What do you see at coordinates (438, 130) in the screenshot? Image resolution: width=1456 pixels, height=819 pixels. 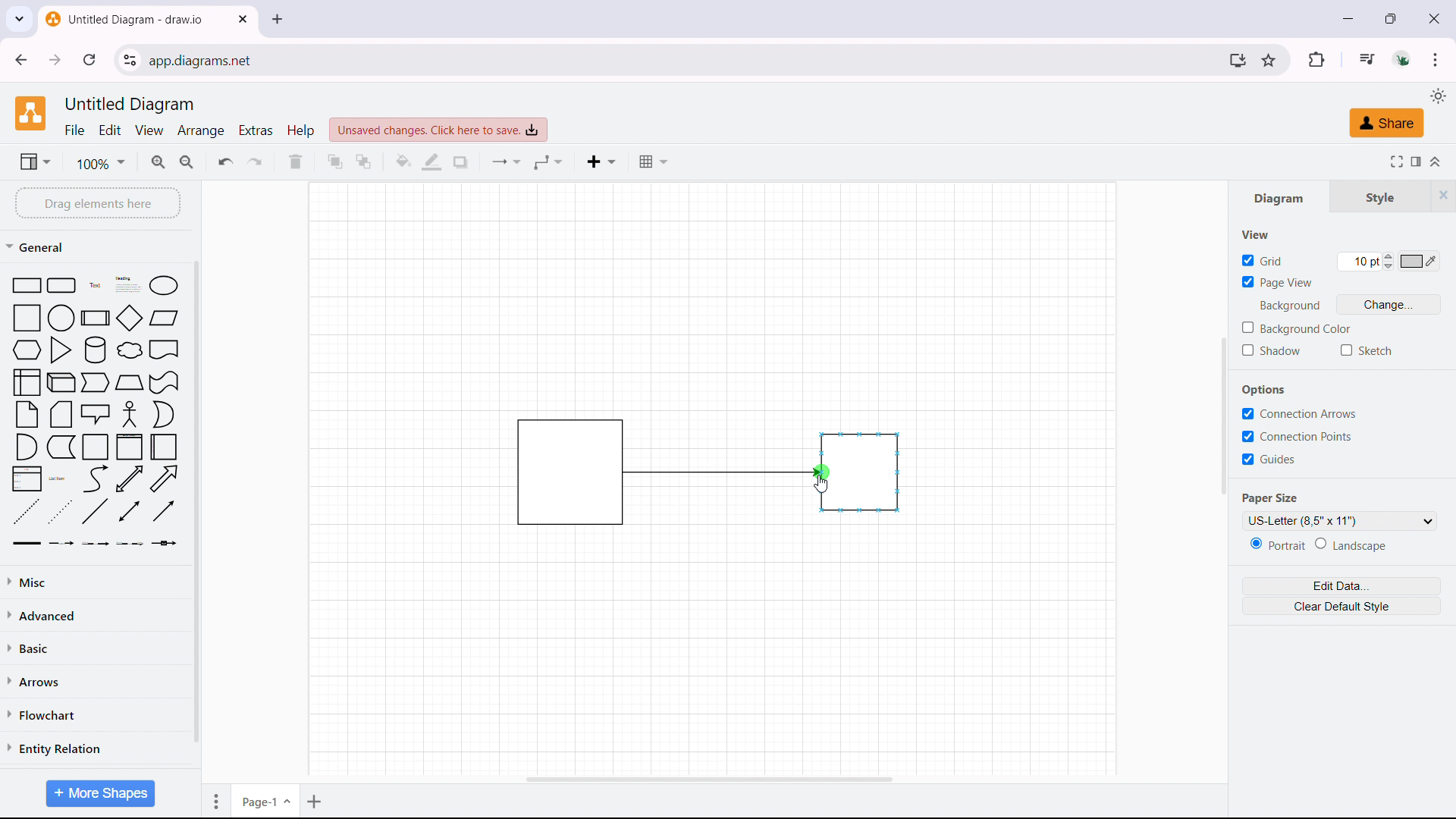 I see `click to save` at bounding box center [438, 130].